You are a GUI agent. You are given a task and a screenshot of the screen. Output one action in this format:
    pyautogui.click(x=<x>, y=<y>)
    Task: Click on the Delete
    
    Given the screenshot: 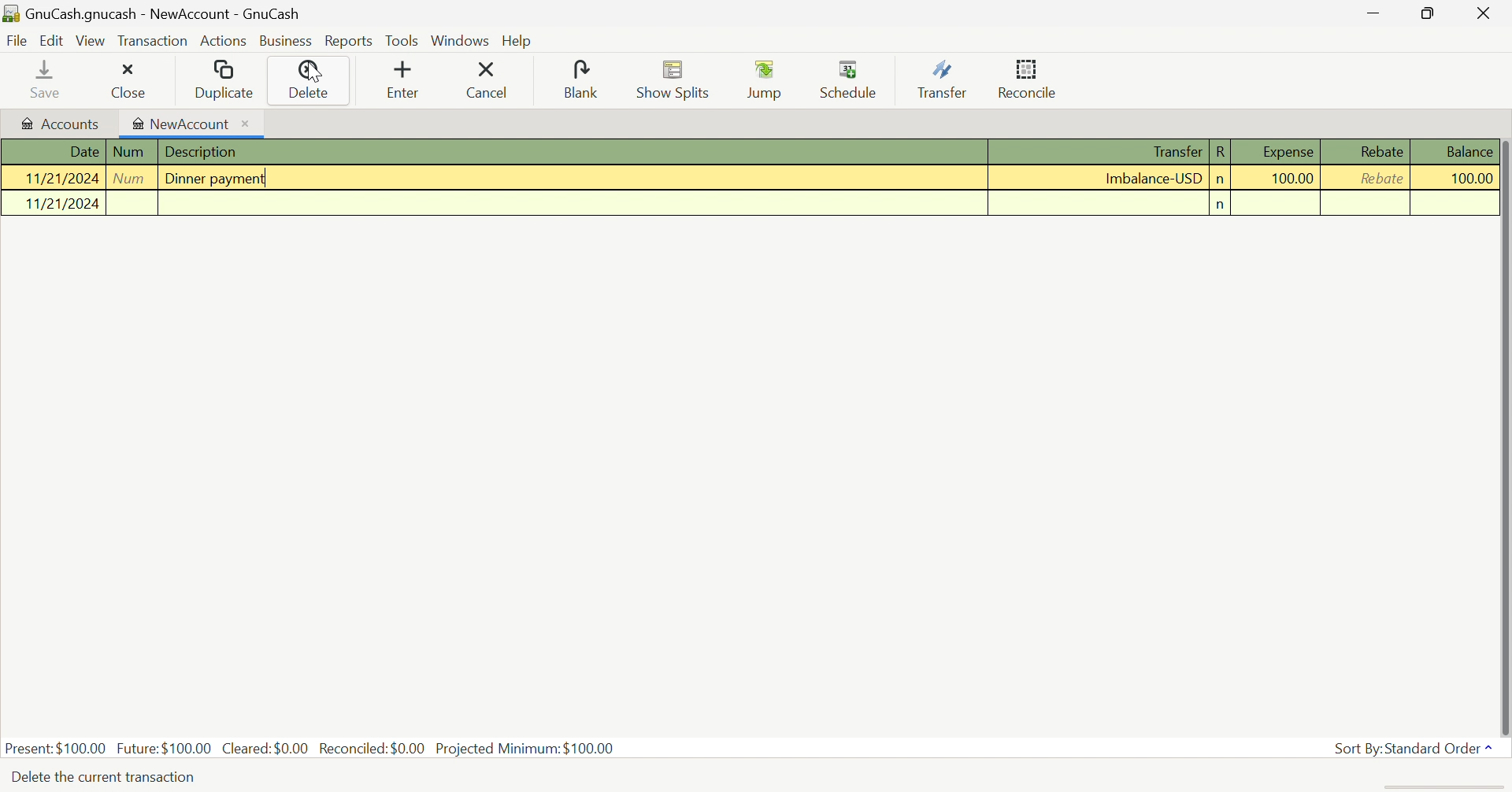 What is the action you would take?
    pyautogui.click(x=313, y=80)
    